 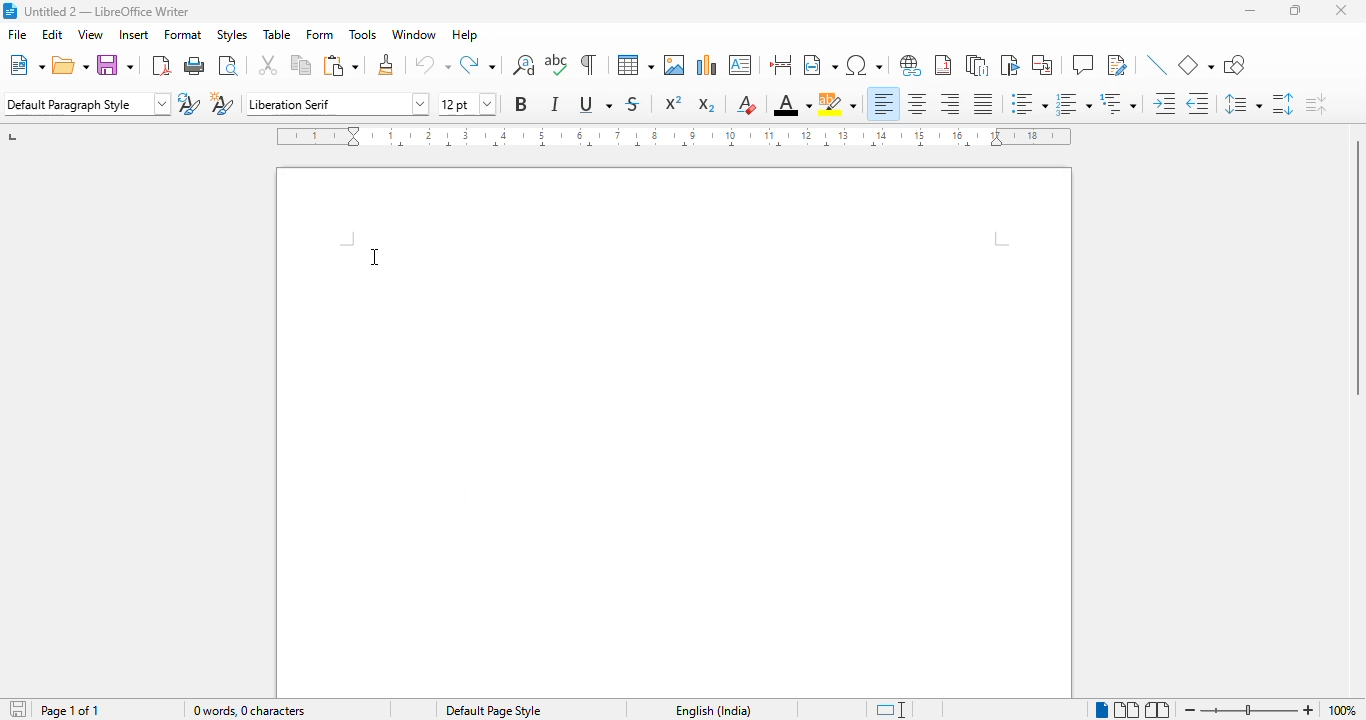 I want to click on tools, so click(x=364, y=34).